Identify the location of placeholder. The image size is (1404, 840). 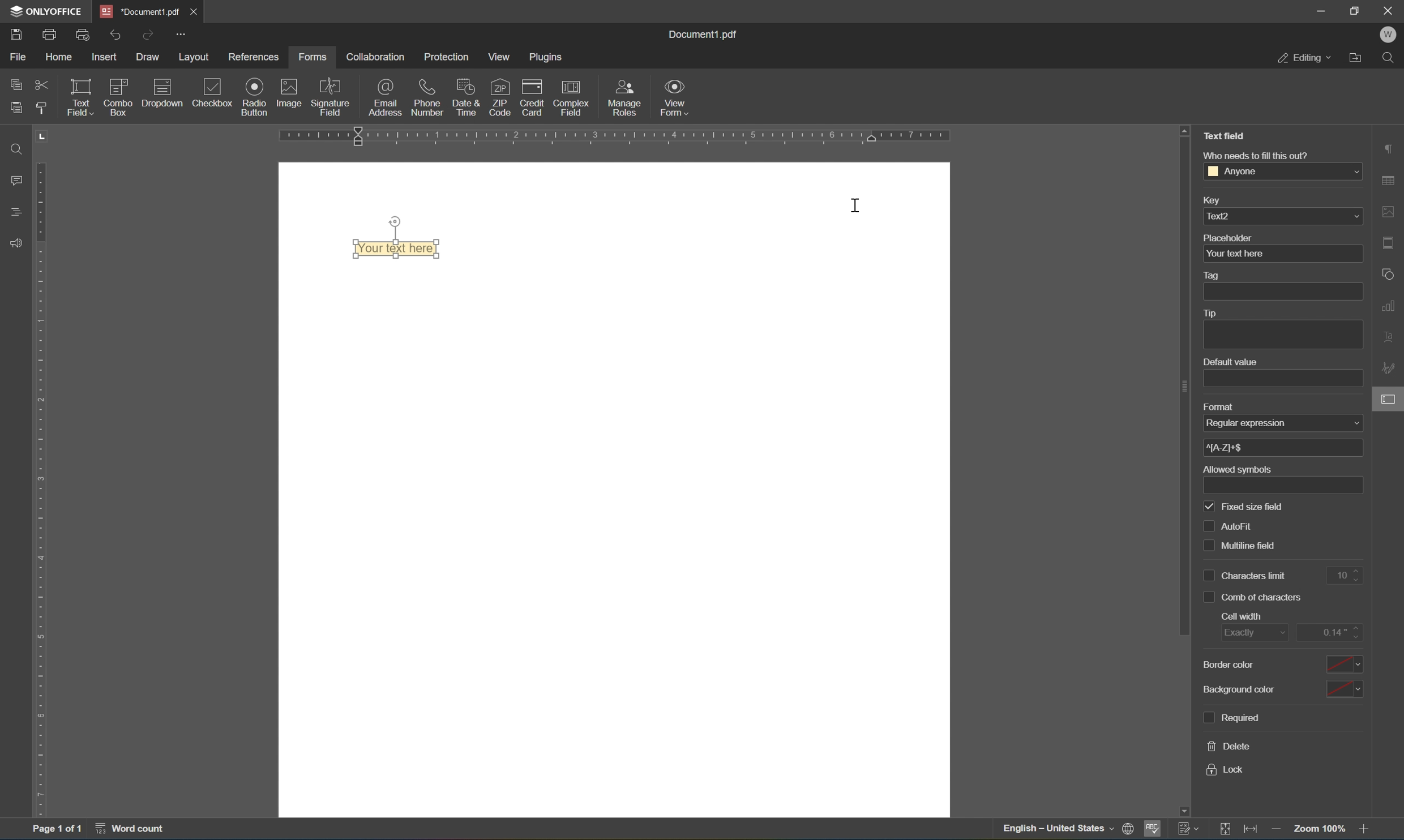
(1227, 237).